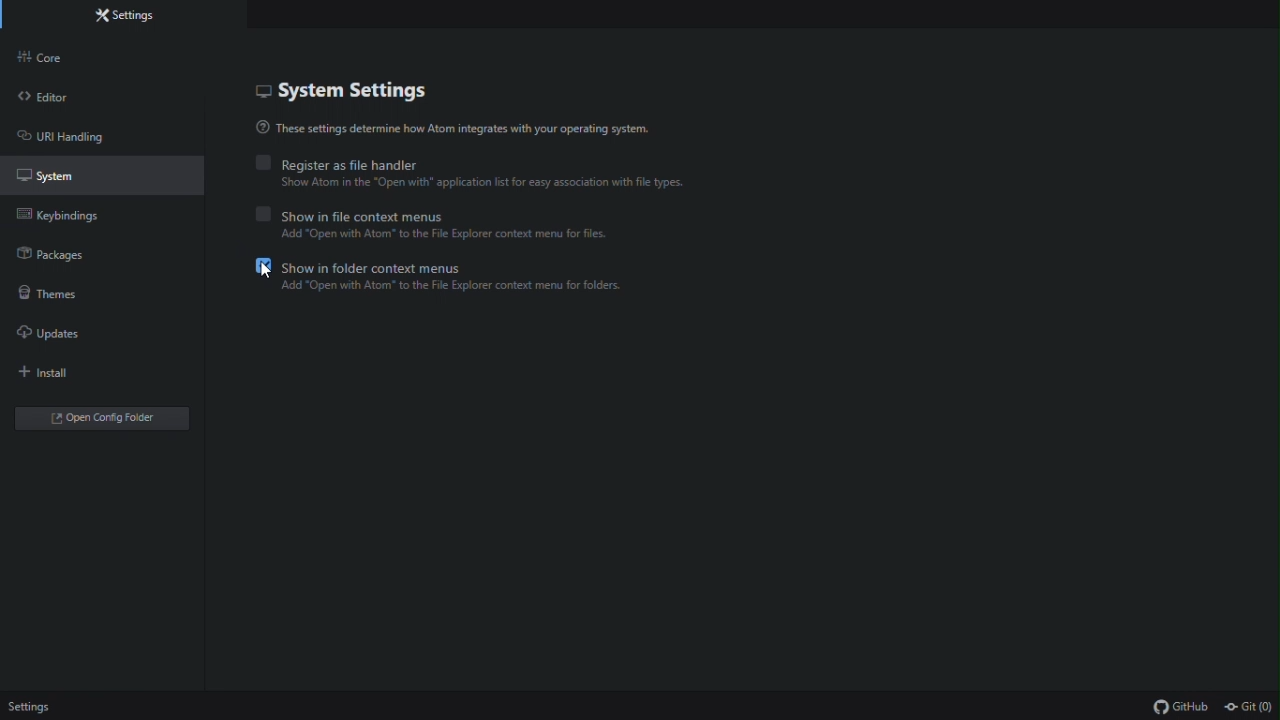 This screenshot has width=1280, height=720. Describe the element at coordinates (465, 165) in the screenshot. I see `Register as file Handler` at that location.